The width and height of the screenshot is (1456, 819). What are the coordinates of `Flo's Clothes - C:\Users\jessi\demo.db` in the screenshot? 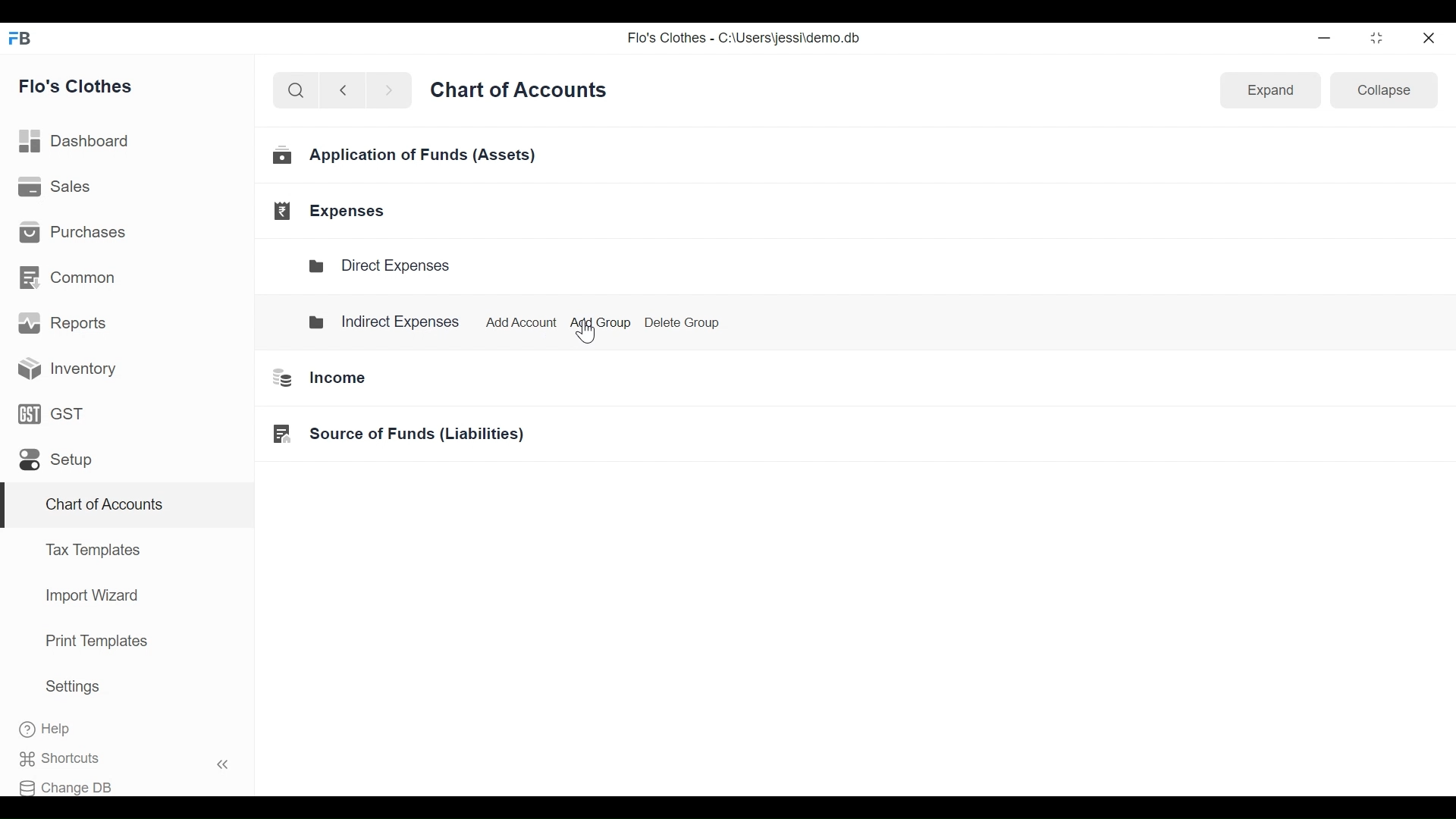 It's located at (746, 41).